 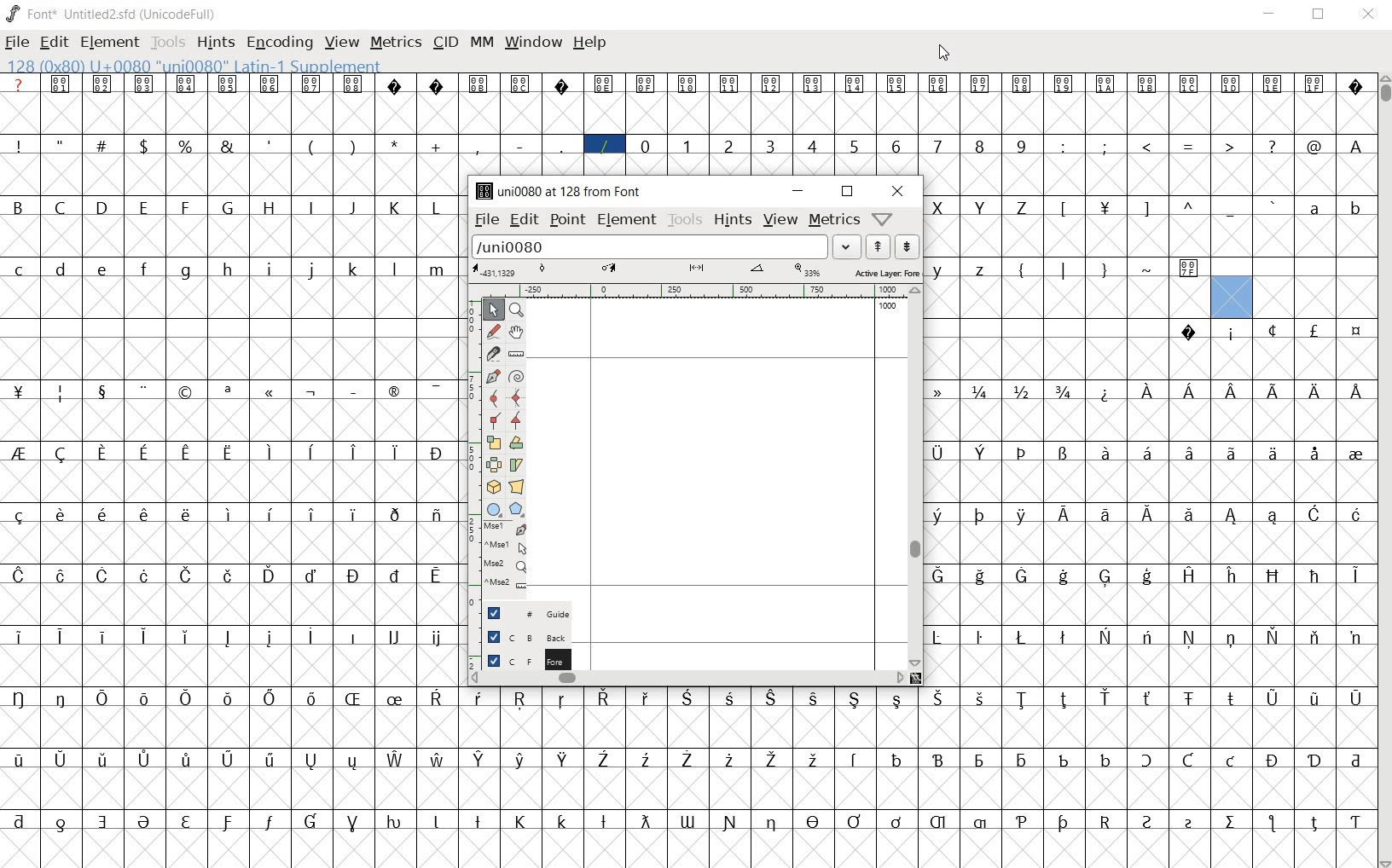 What do you see at coordinates (915, 477) in the screenshot?
I see `scrollbar` at bounding box center [915, 477].